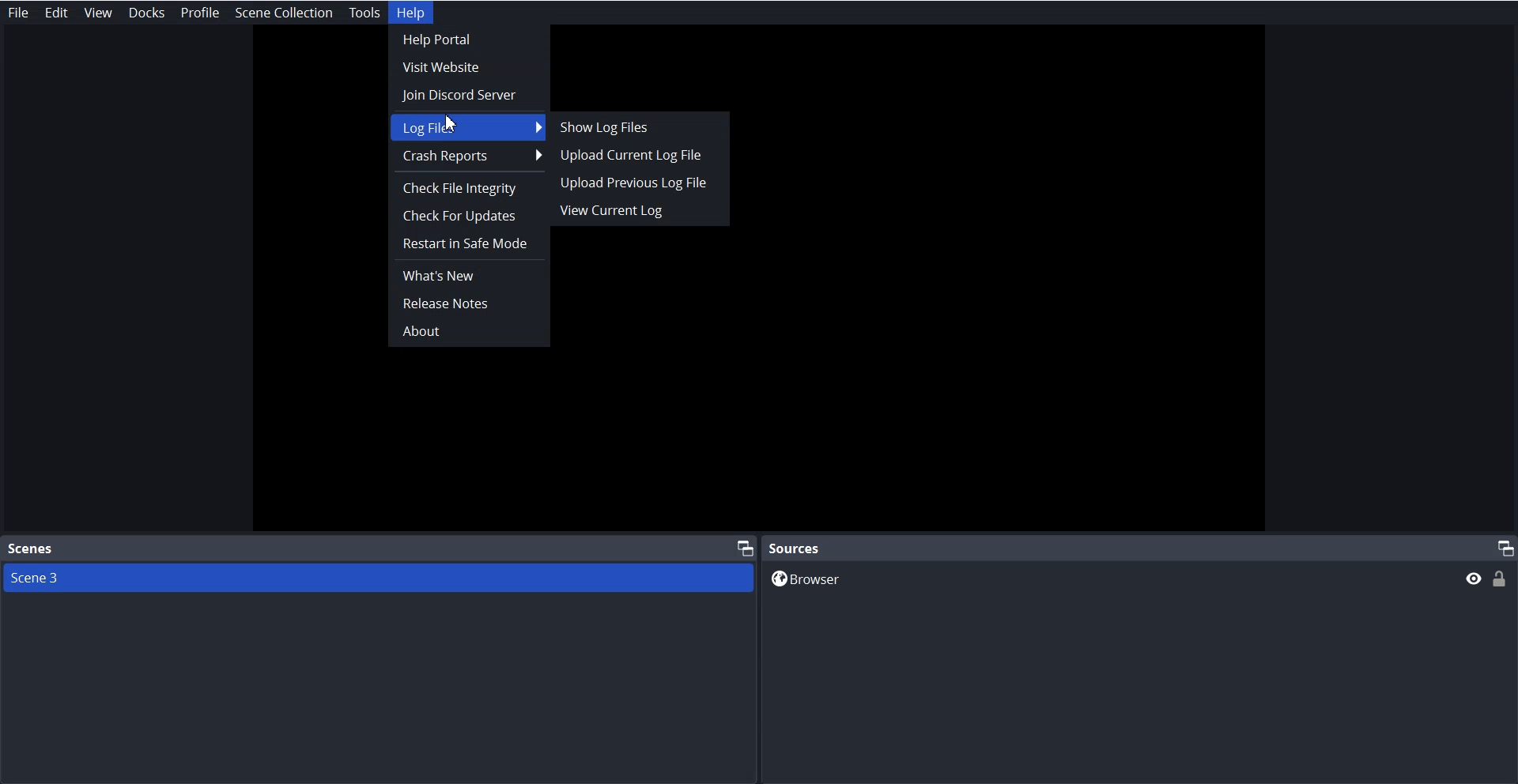 Image resolution: width=1518 pixels, height=784 pixels. What do you see at coordinates (468, 303) in the screenshot?
I see `Release Notes` at bounding box center [468, 303].